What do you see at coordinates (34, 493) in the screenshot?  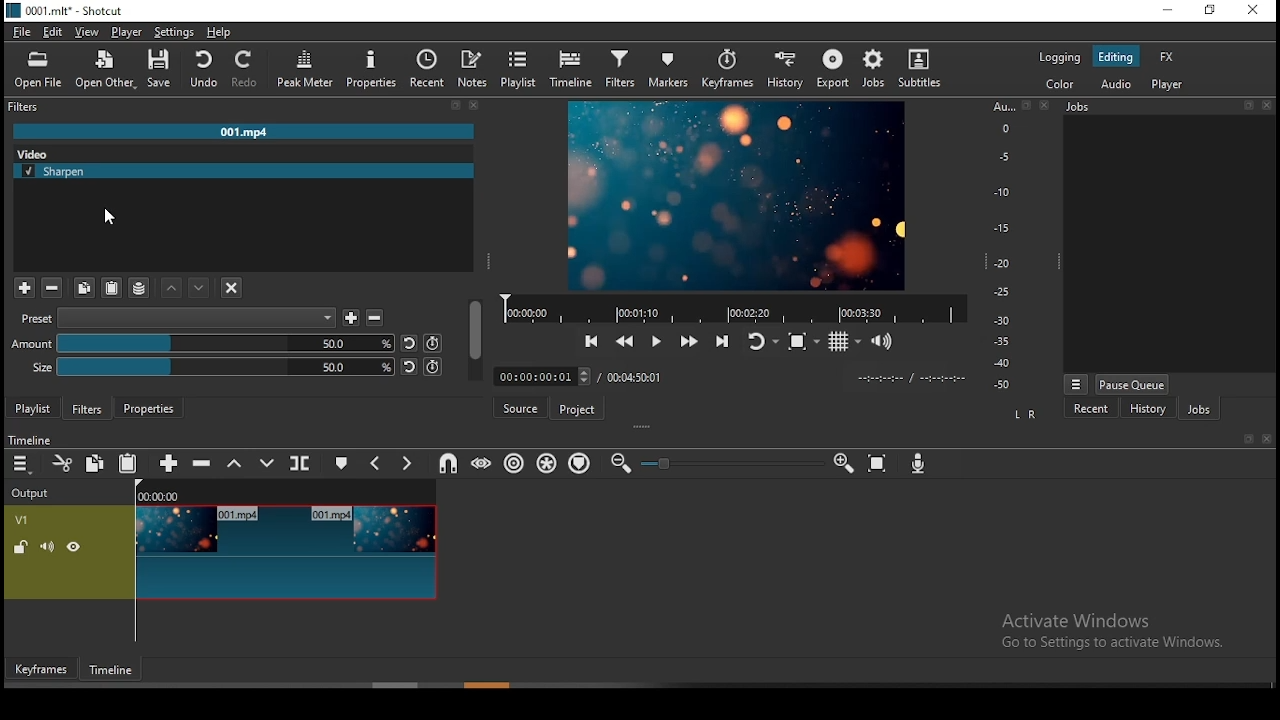 I see `Output` at bounding box center [34, 493].